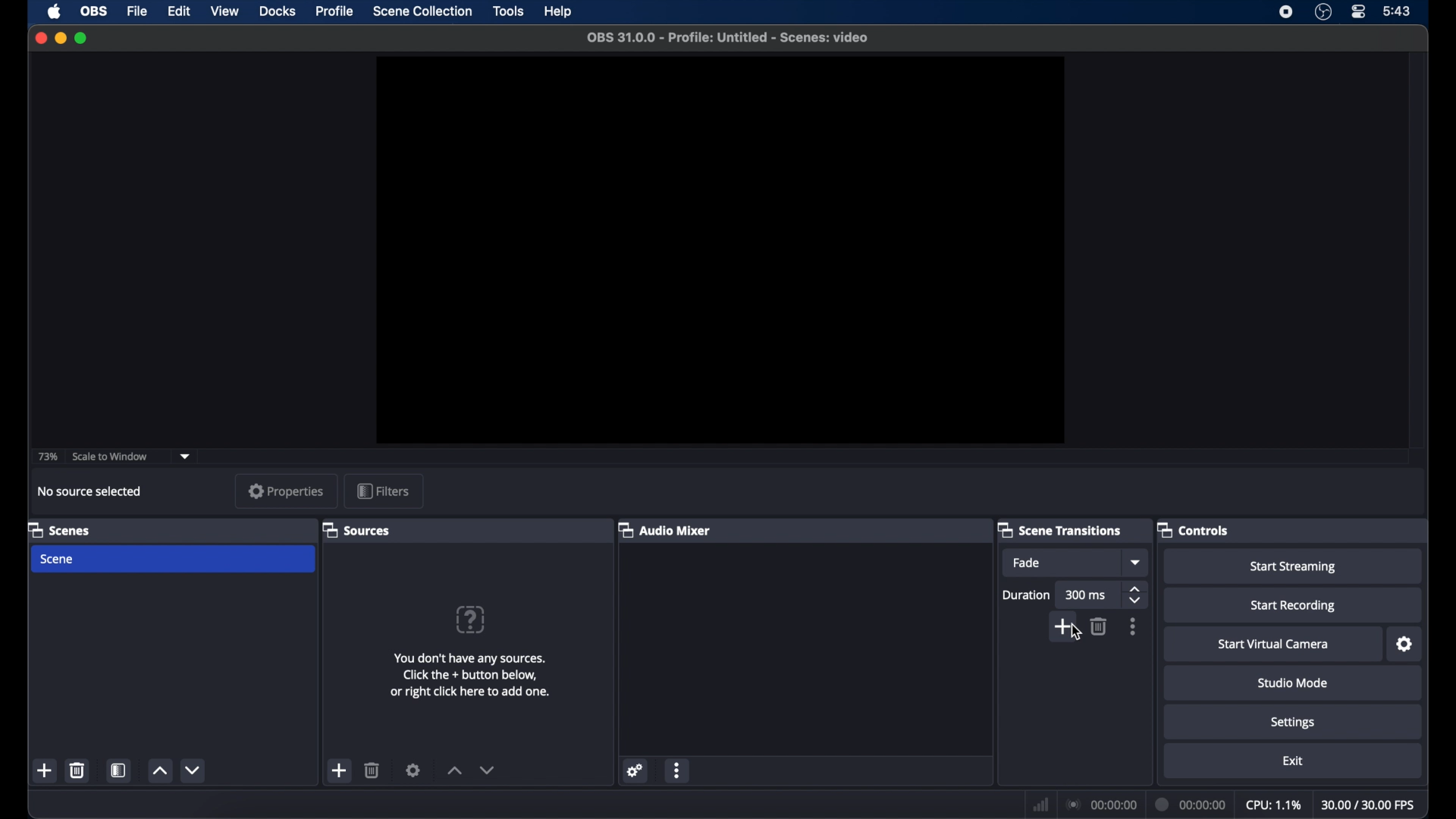 The height and width of the screenshot is (819, 1456). What do you see at coordinates (179, 12) in the screenshot?
I see `edit` at bounding box center [179, 12].